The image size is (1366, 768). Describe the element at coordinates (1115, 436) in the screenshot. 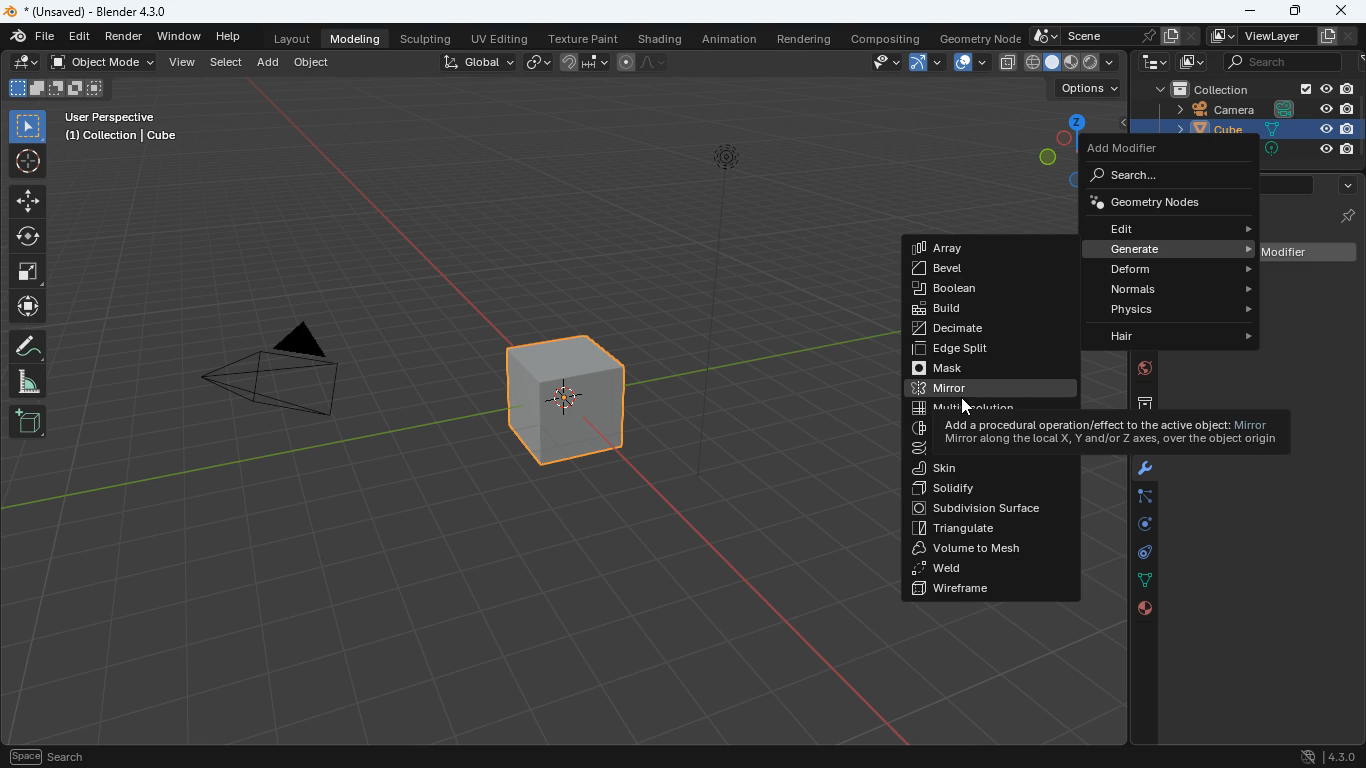

I see `description` at that location.